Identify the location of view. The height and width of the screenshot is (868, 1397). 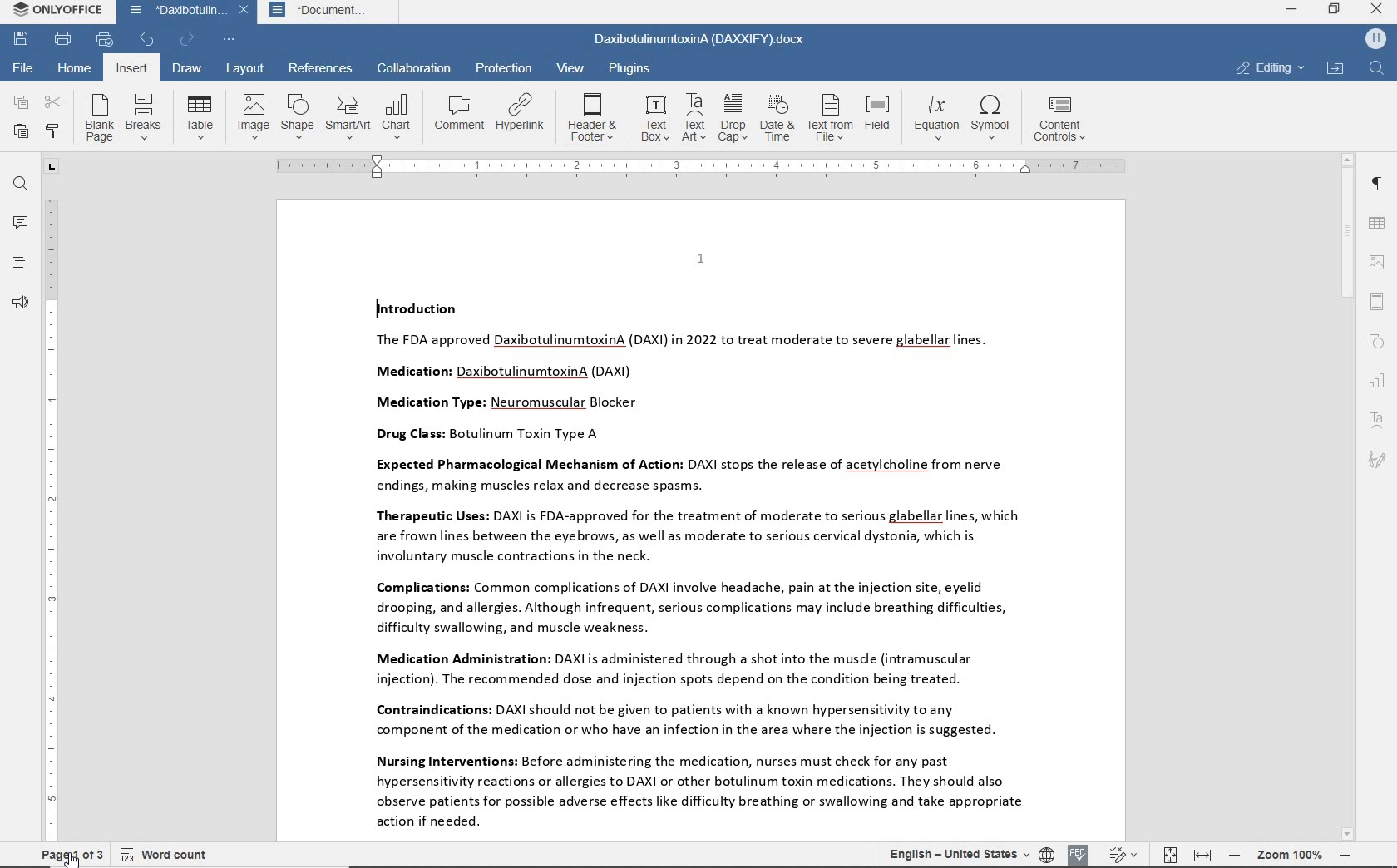
(569, 67).